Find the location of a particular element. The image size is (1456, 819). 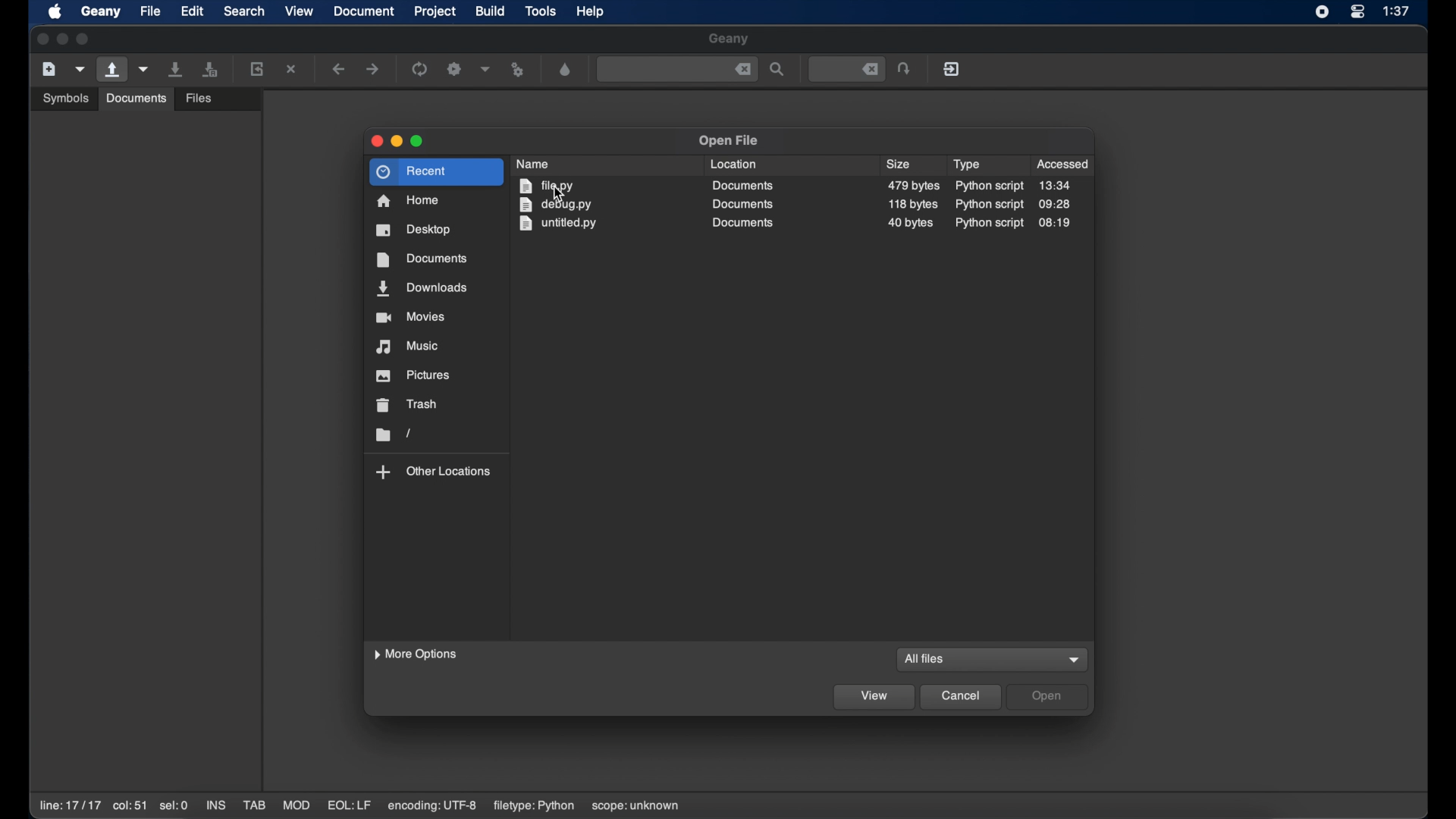

maximize is located at coordinates (418, 142).